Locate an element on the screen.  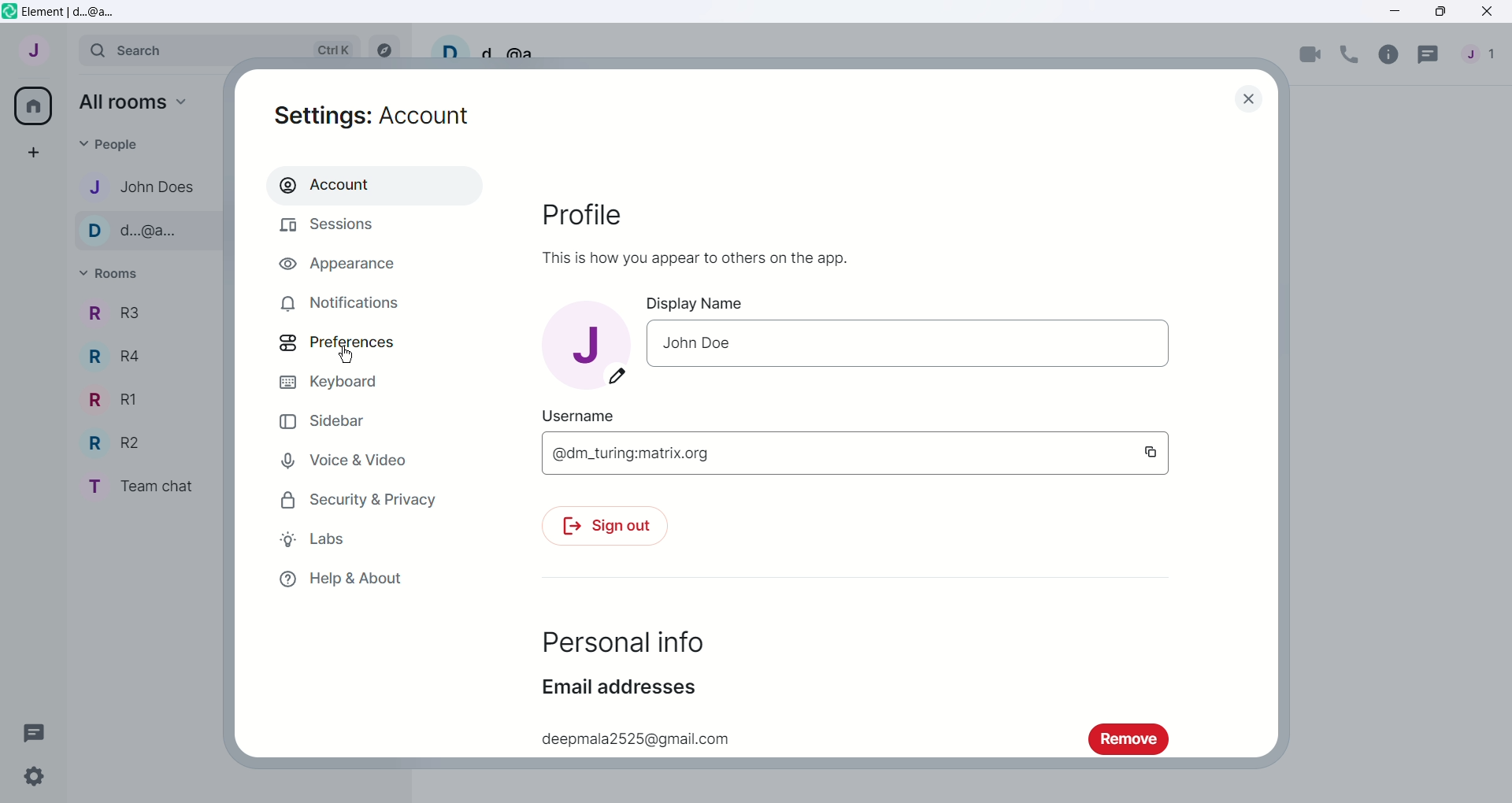
R2 - Room Name is located at coordinates (120, 442).